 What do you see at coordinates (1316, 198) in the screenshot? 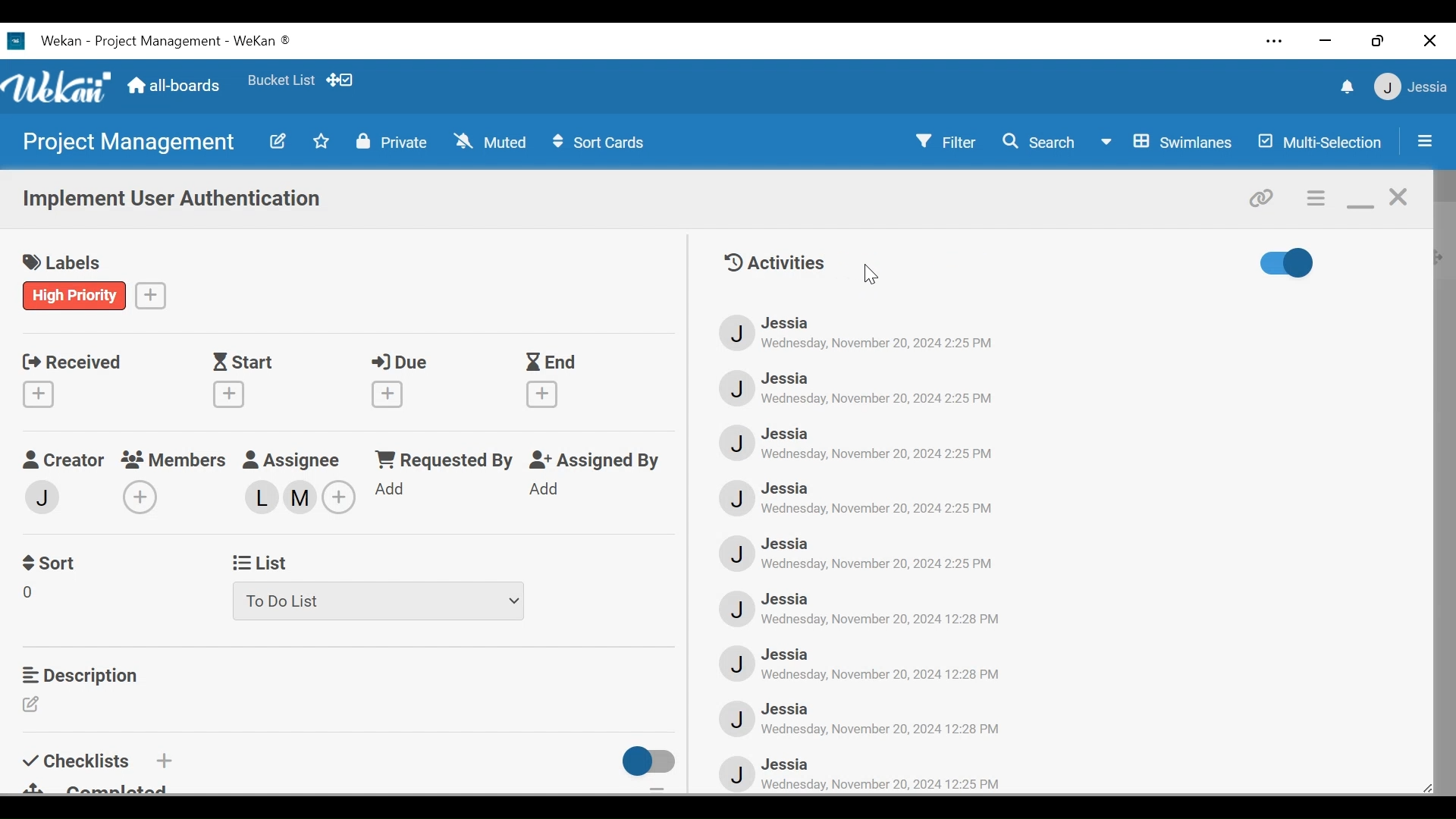
I see `c` at bounding box center [1316, 198].